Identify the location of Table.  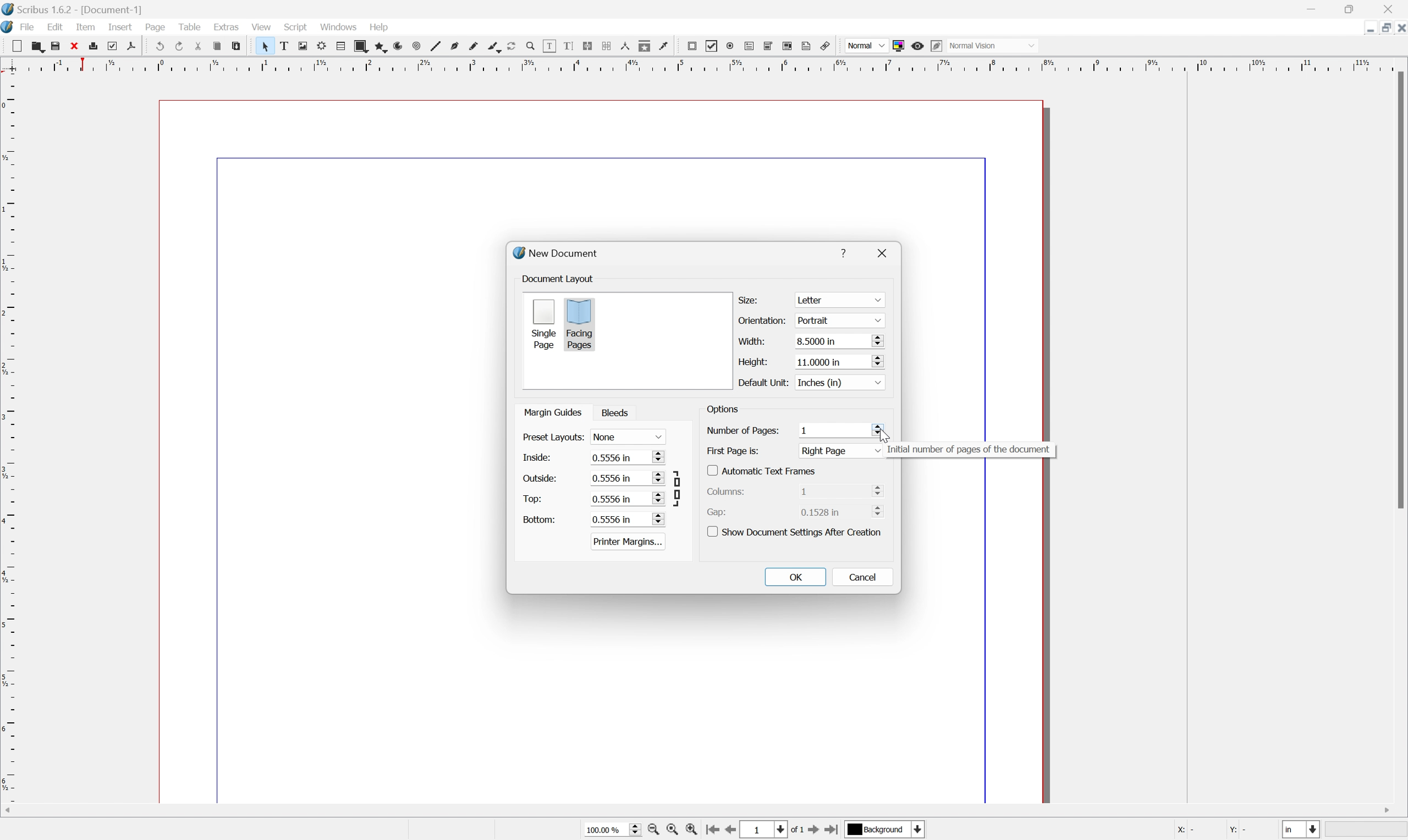
(338, 46).